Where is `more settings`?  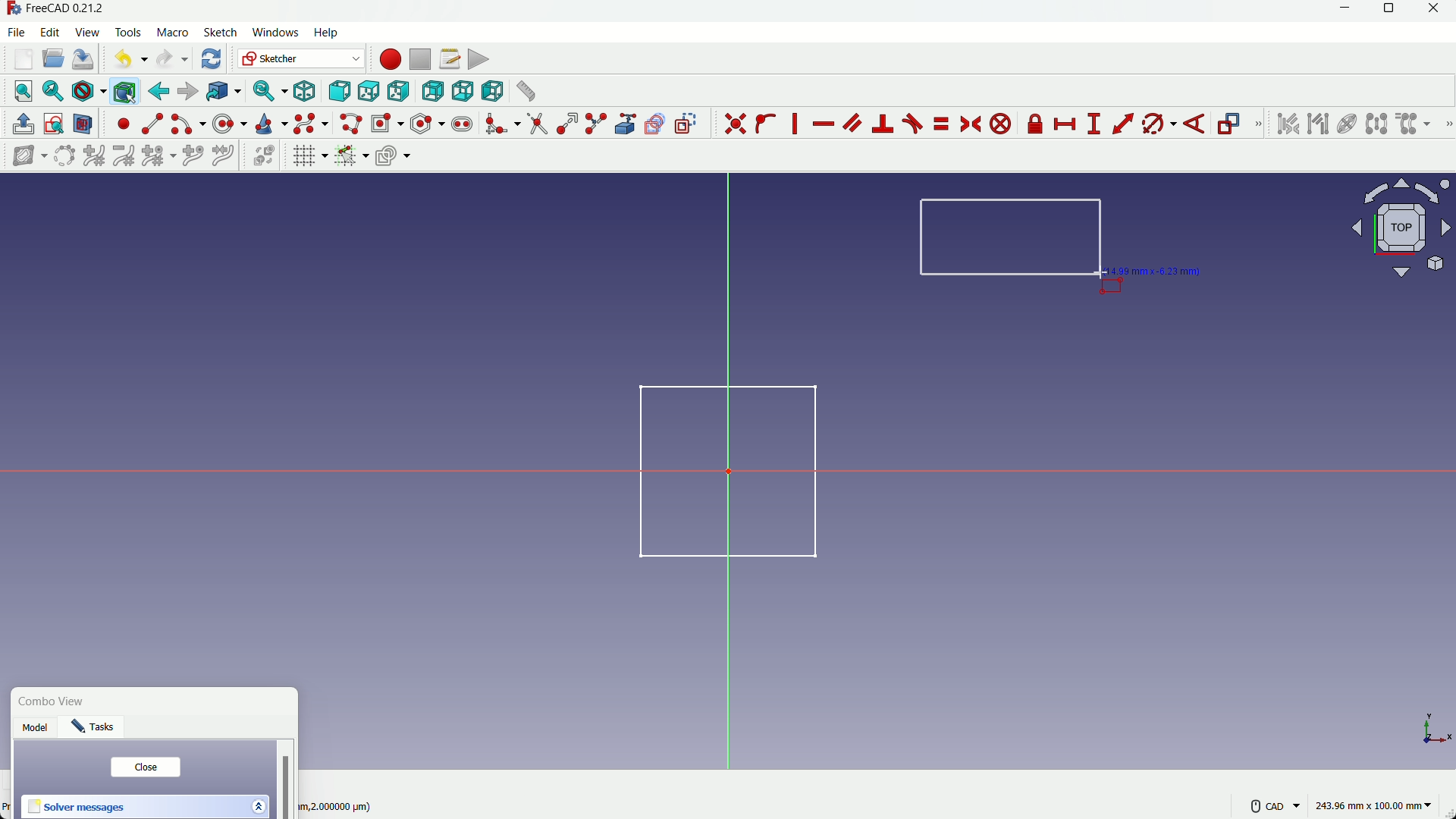 more settings is located at coordinates (1276, 806).